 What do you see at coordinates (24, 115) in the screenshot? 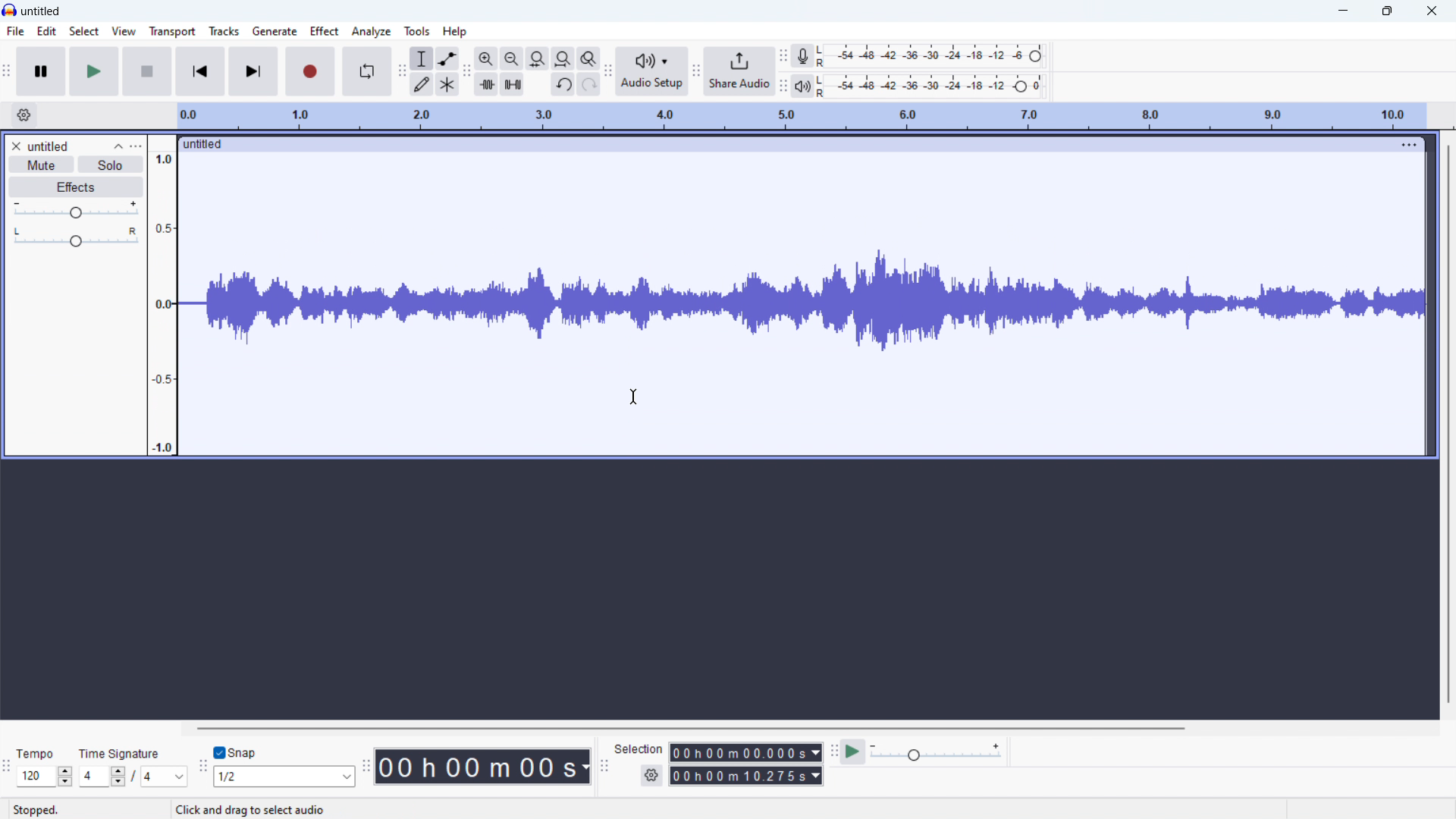
I see `timeline settings` at bounding box center [24, 115].